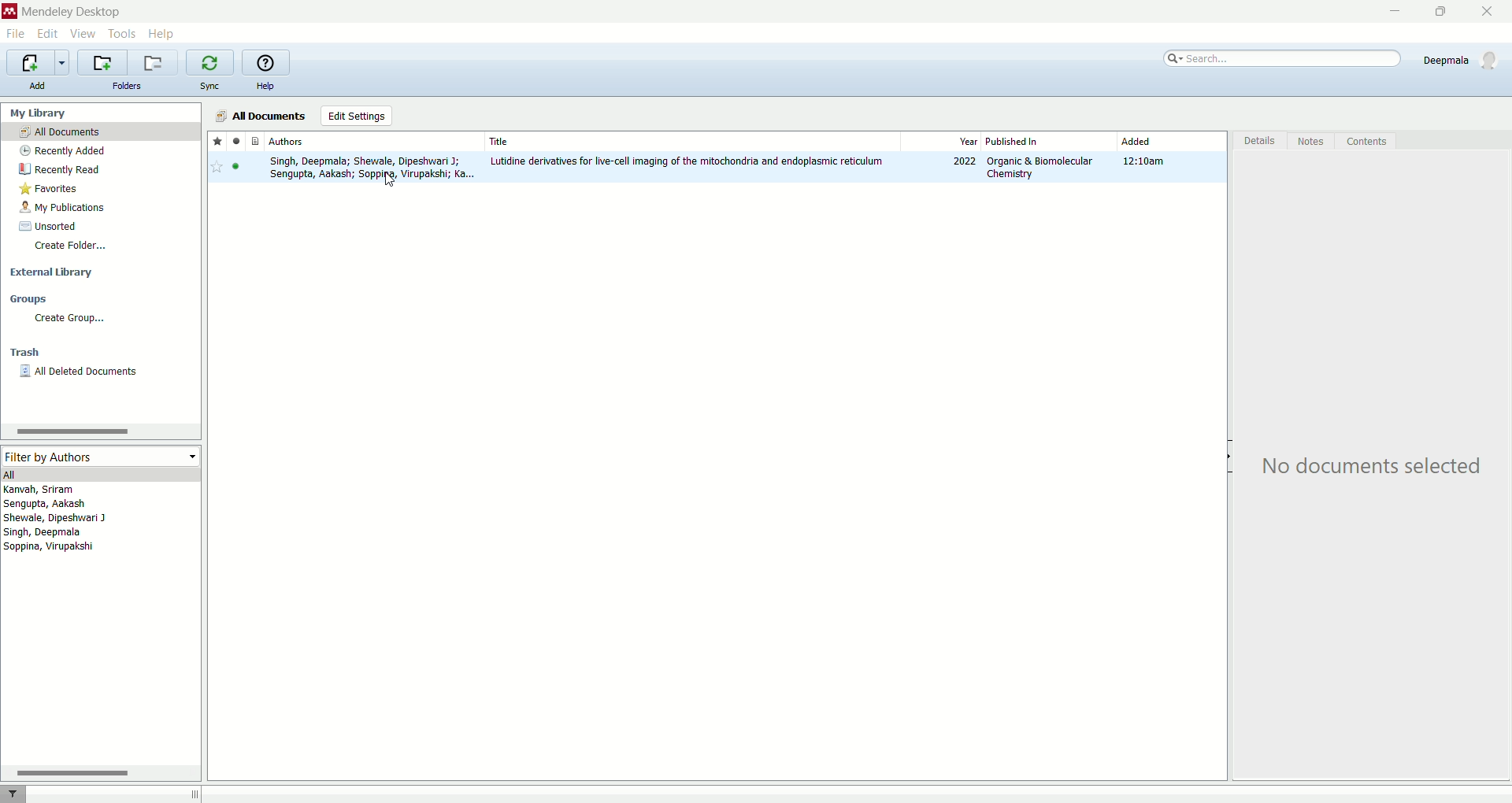  What do you see at coordinates (265, 62) in the screenshot?
I see `open the online help guide for Mendeley` at bounding box center [265, 62].